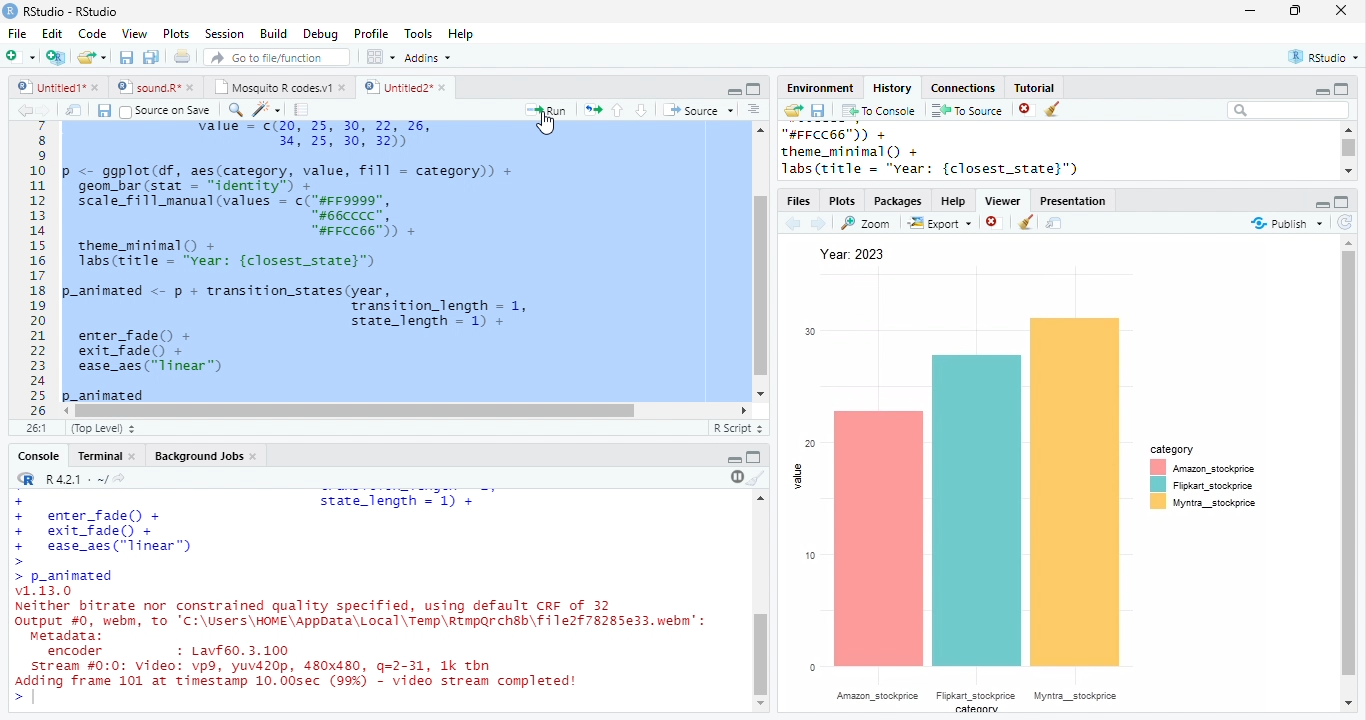  I want to click on >> p_animated, so click(75, 570).